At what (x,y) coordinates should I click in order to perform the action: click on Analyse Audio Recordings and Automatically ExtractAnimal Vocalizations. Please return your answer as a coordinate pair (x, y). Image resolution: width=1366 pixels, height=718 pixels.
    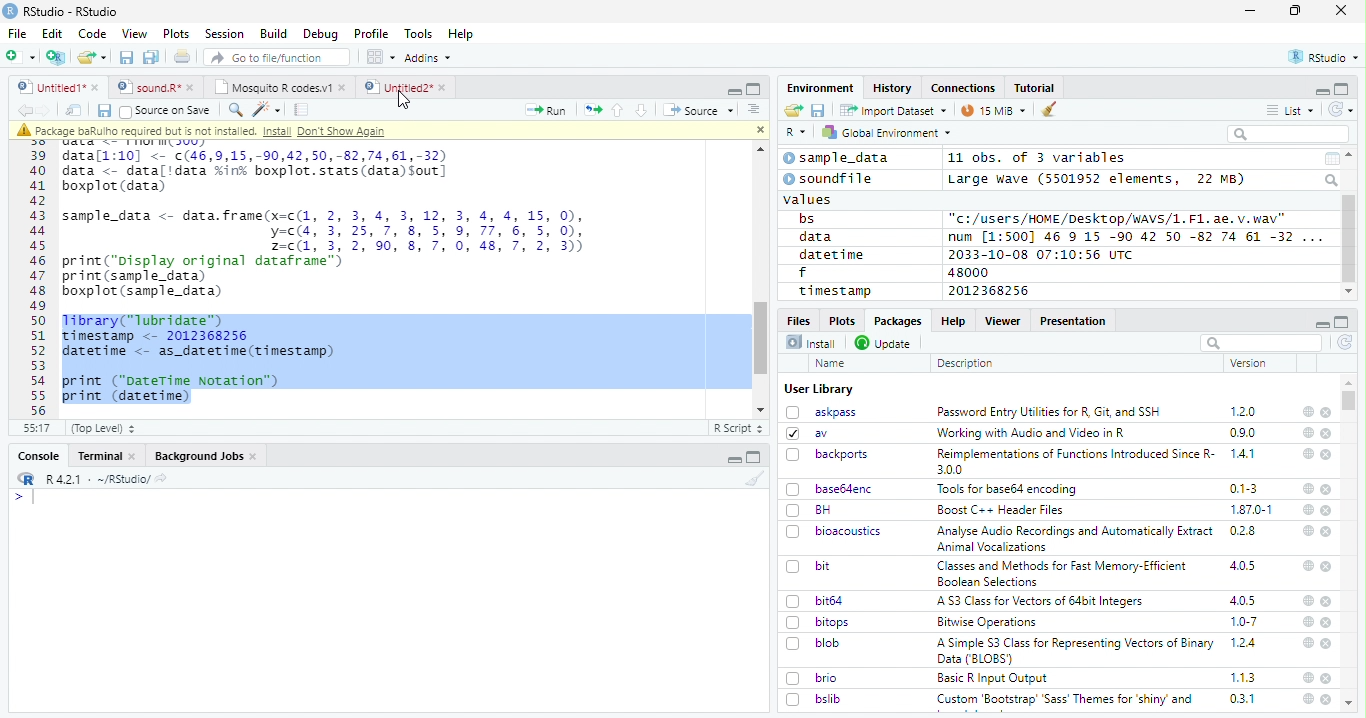
    Looking at the image, I should click on (1071, 538).